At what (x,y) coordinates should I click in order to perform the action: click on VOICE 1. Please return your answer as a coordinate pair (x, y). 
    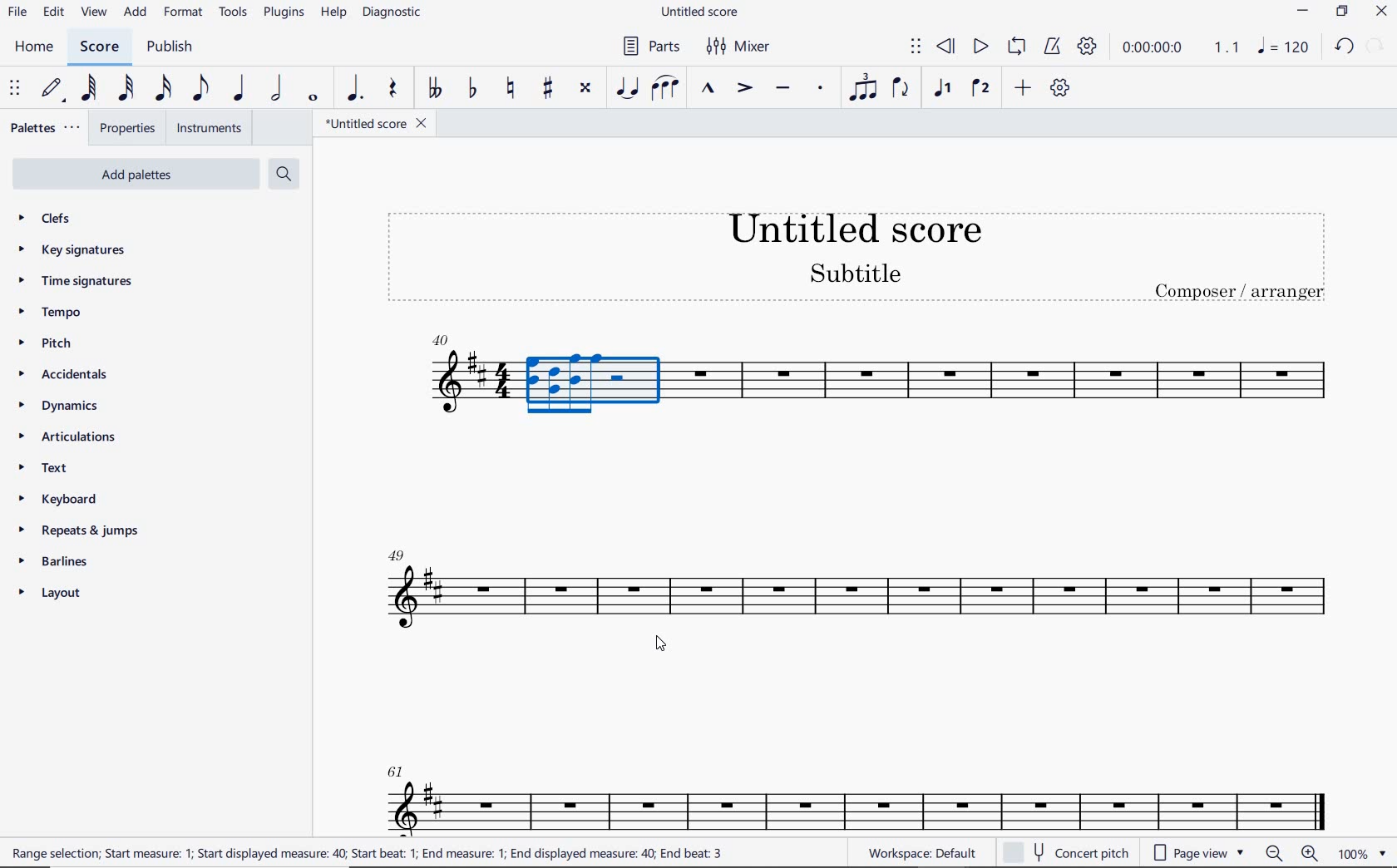
    Looking at the image, I should click on (941, 89).